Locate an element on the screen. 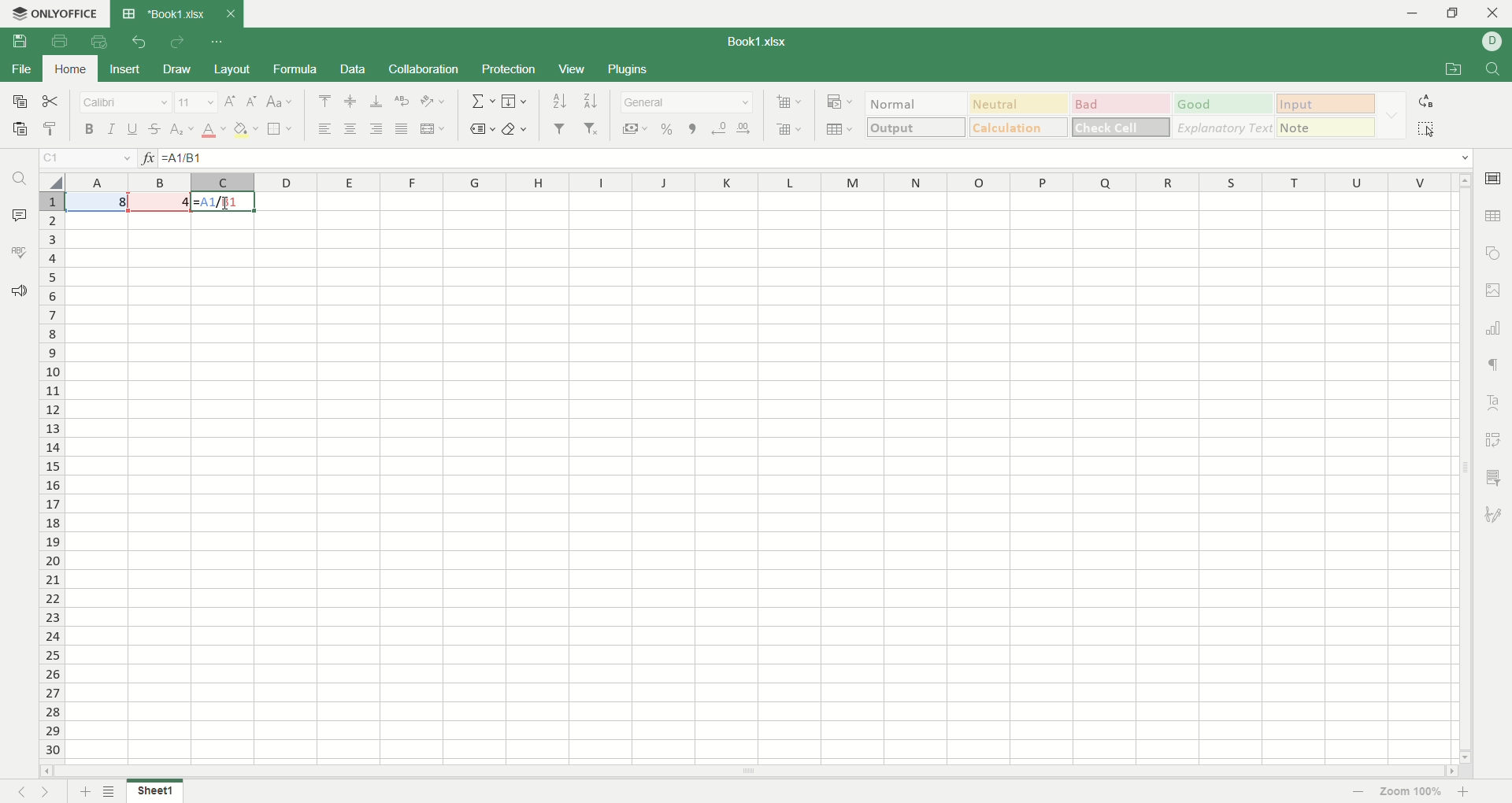 This screenshot has height=803, width=1512. table is located at coordinates (838, 128).